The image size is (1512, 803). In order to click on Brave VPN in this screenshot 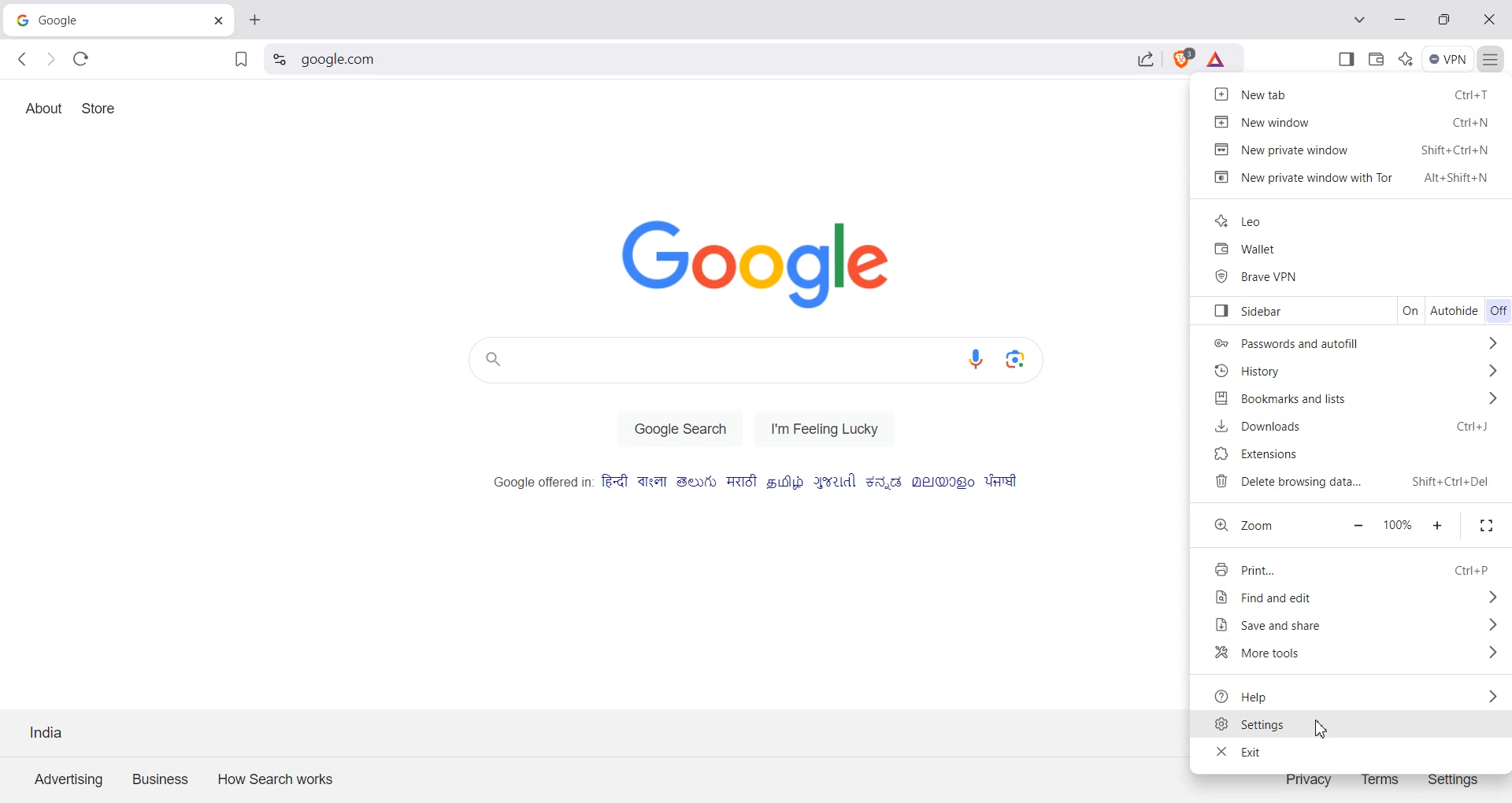, I will do `click(1356, 275)`.